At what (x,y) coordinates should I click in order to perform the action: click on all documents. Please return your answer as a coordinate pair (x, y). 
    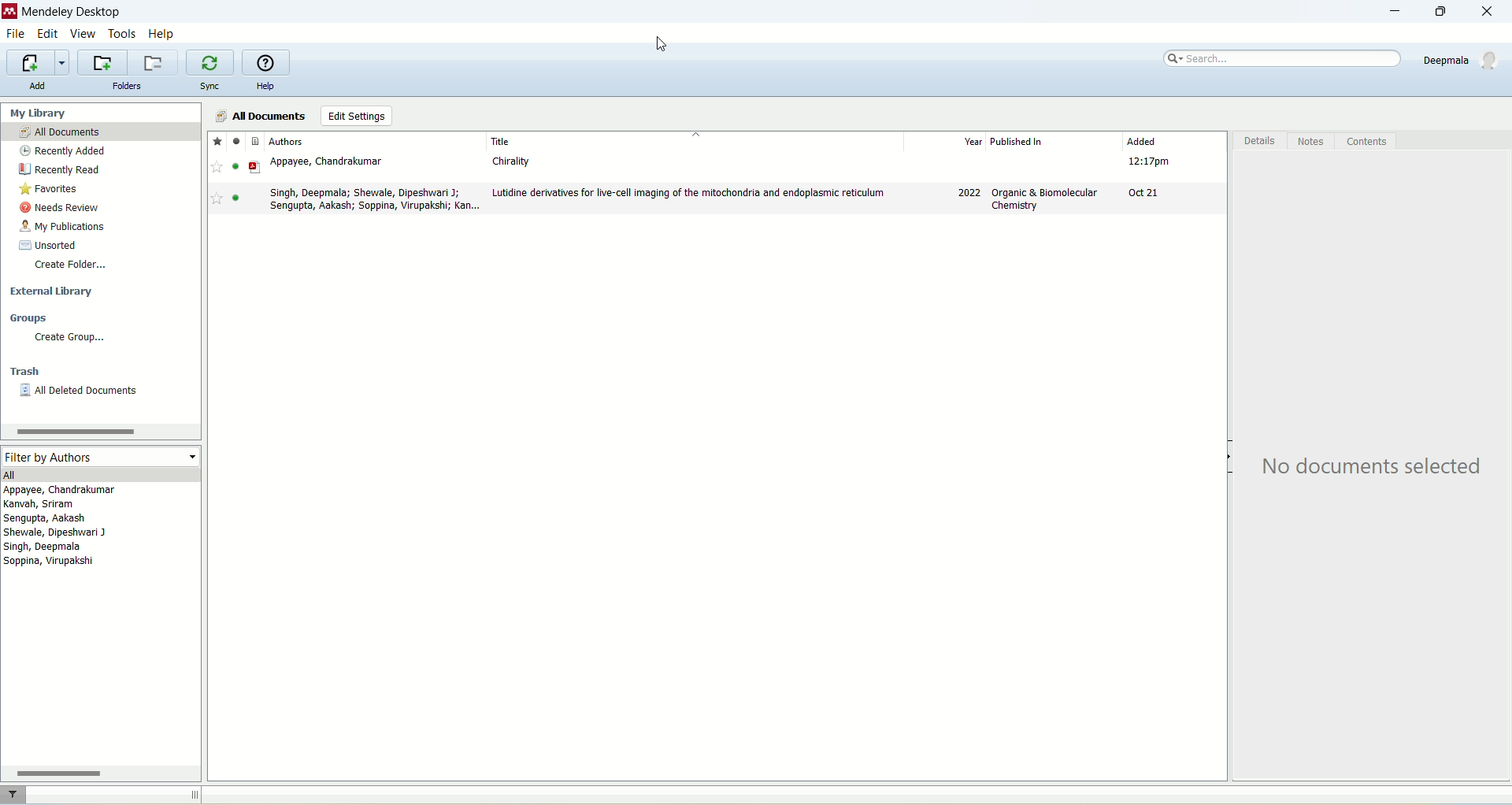
    Looking at the image, I should click on (258, 116).